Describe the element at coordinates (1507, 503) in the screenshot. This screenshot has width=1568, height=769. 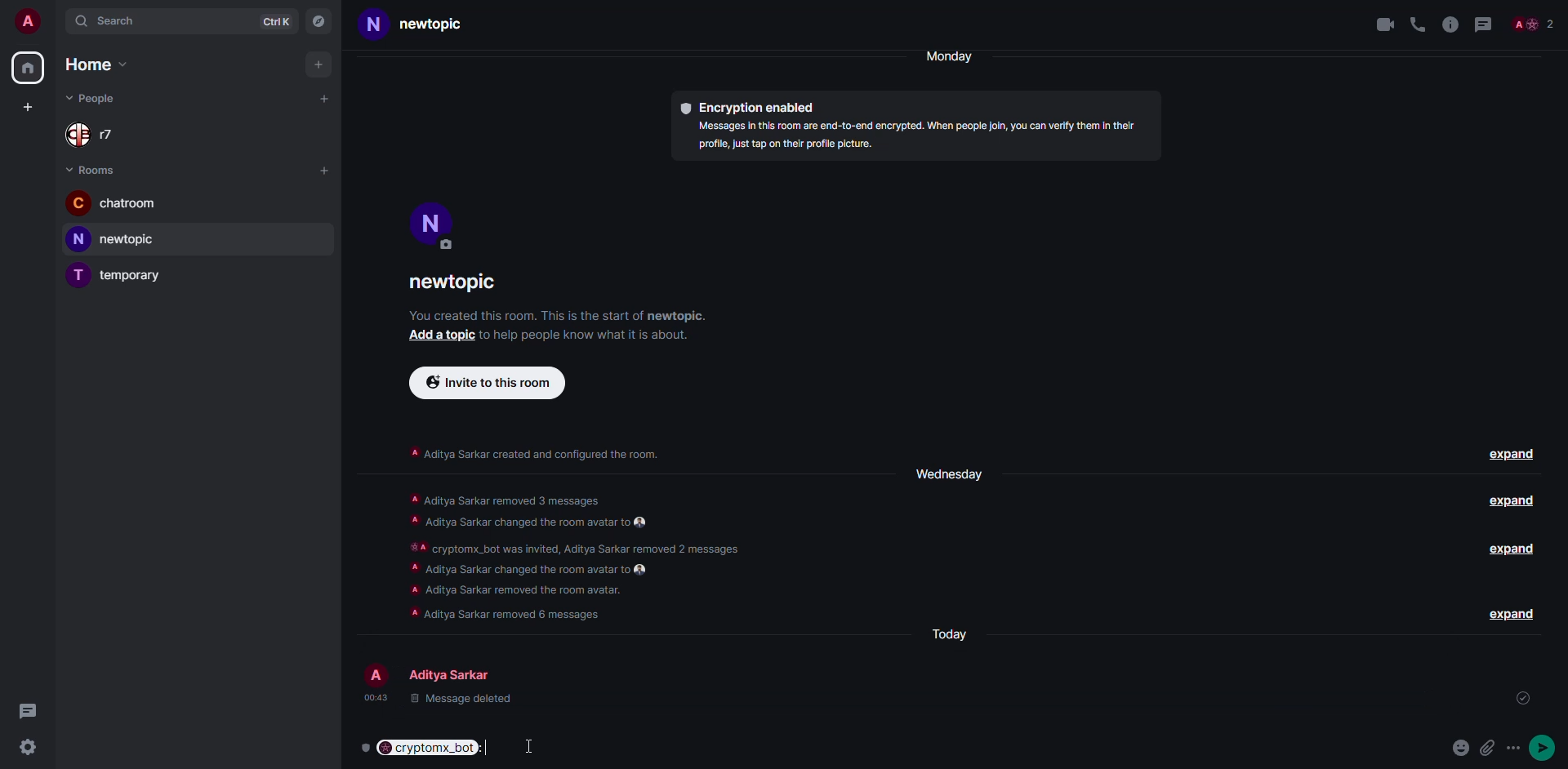
I see `expand` at that location.